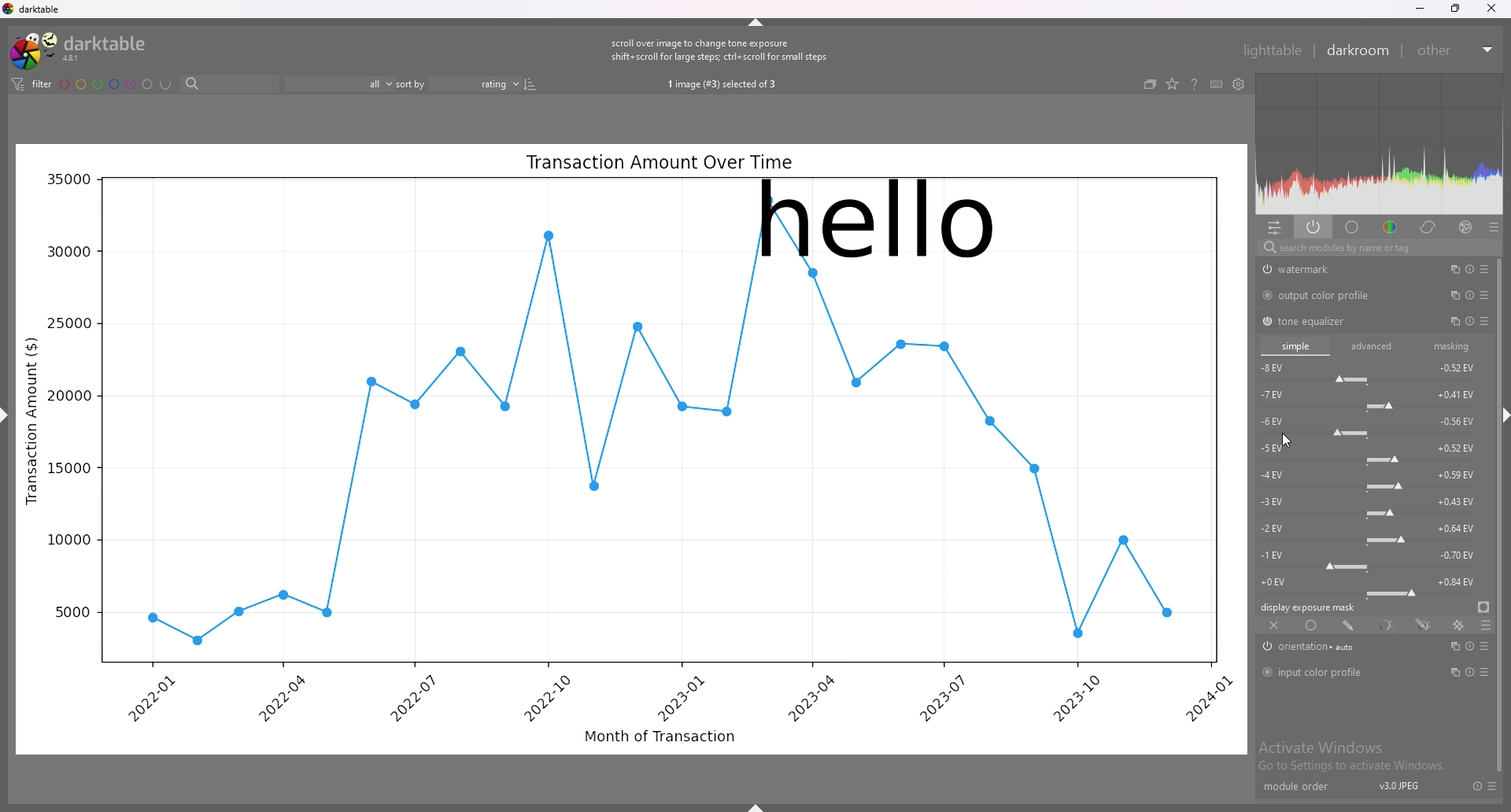 This screenshot has width=1511, height=812. I want to click on quick access panel, so click(1275, 228).